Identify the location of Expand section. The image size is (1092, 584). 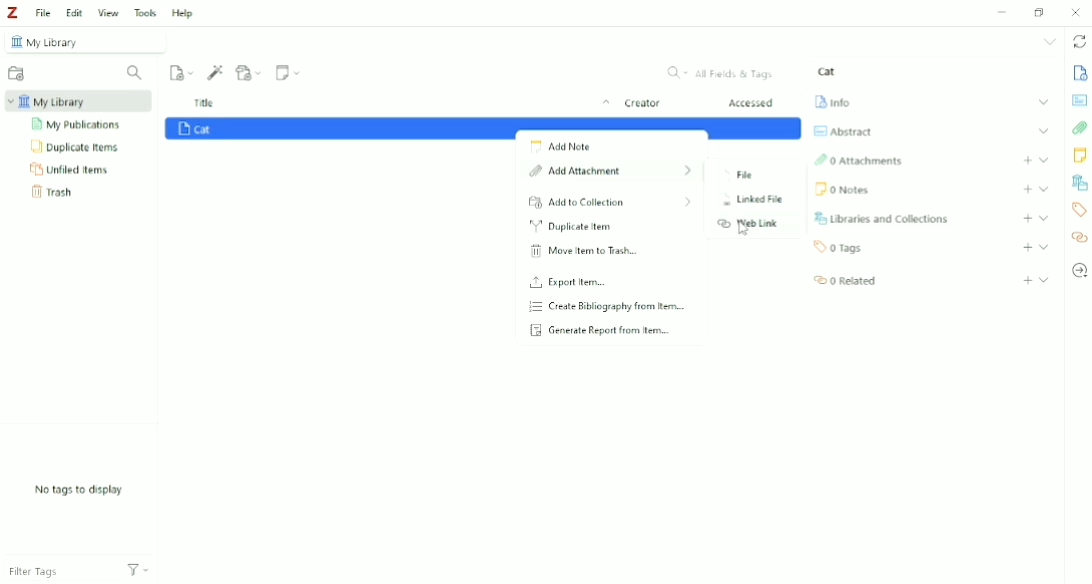
(1045, 130).